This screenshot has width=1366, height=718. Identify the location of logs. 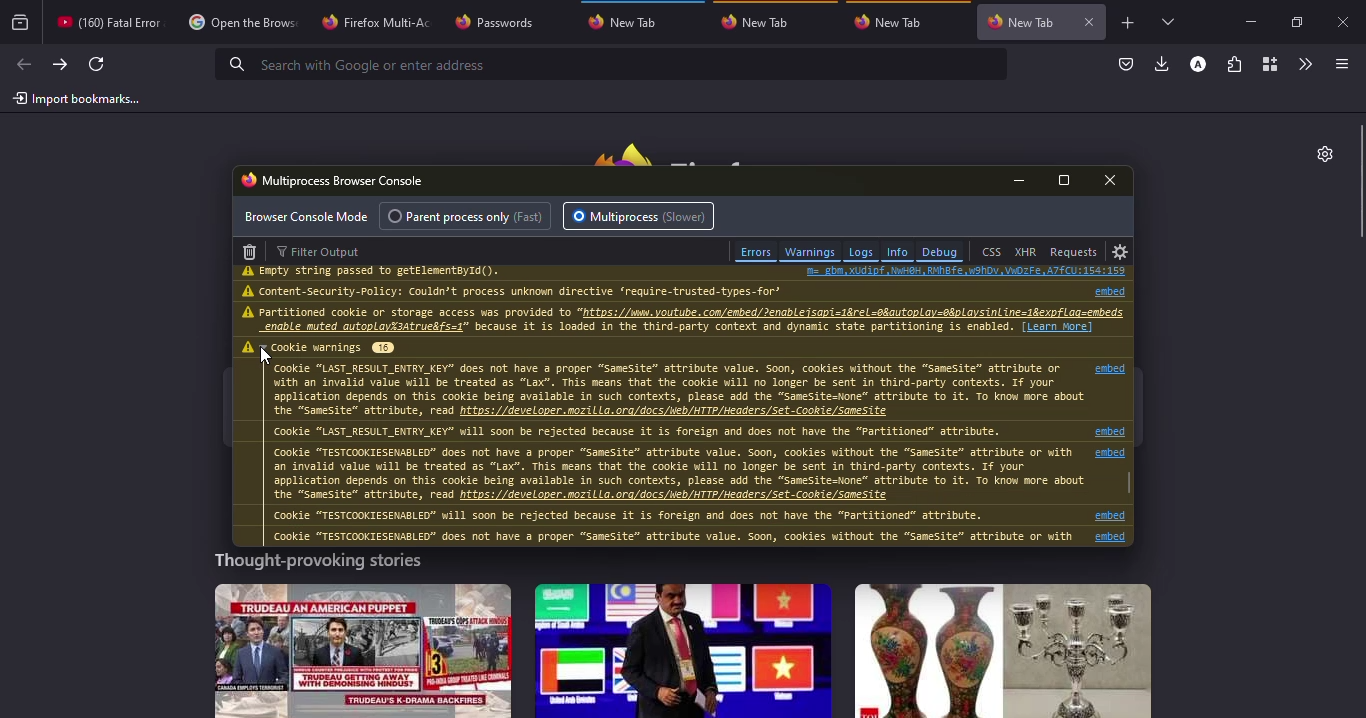
(860, 252).